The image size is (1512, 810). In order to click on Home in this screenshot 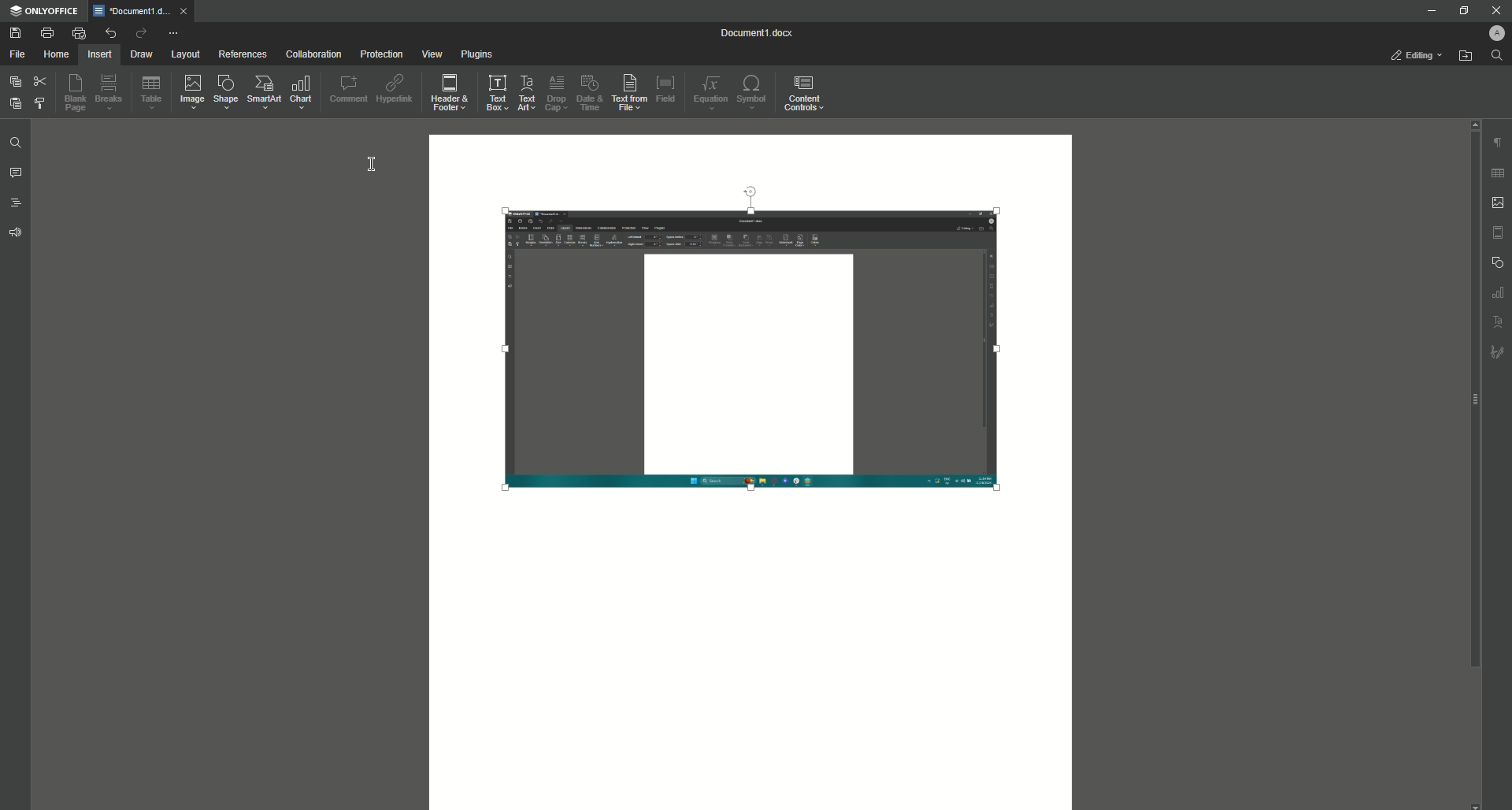, I will do `click(56, 55)`.